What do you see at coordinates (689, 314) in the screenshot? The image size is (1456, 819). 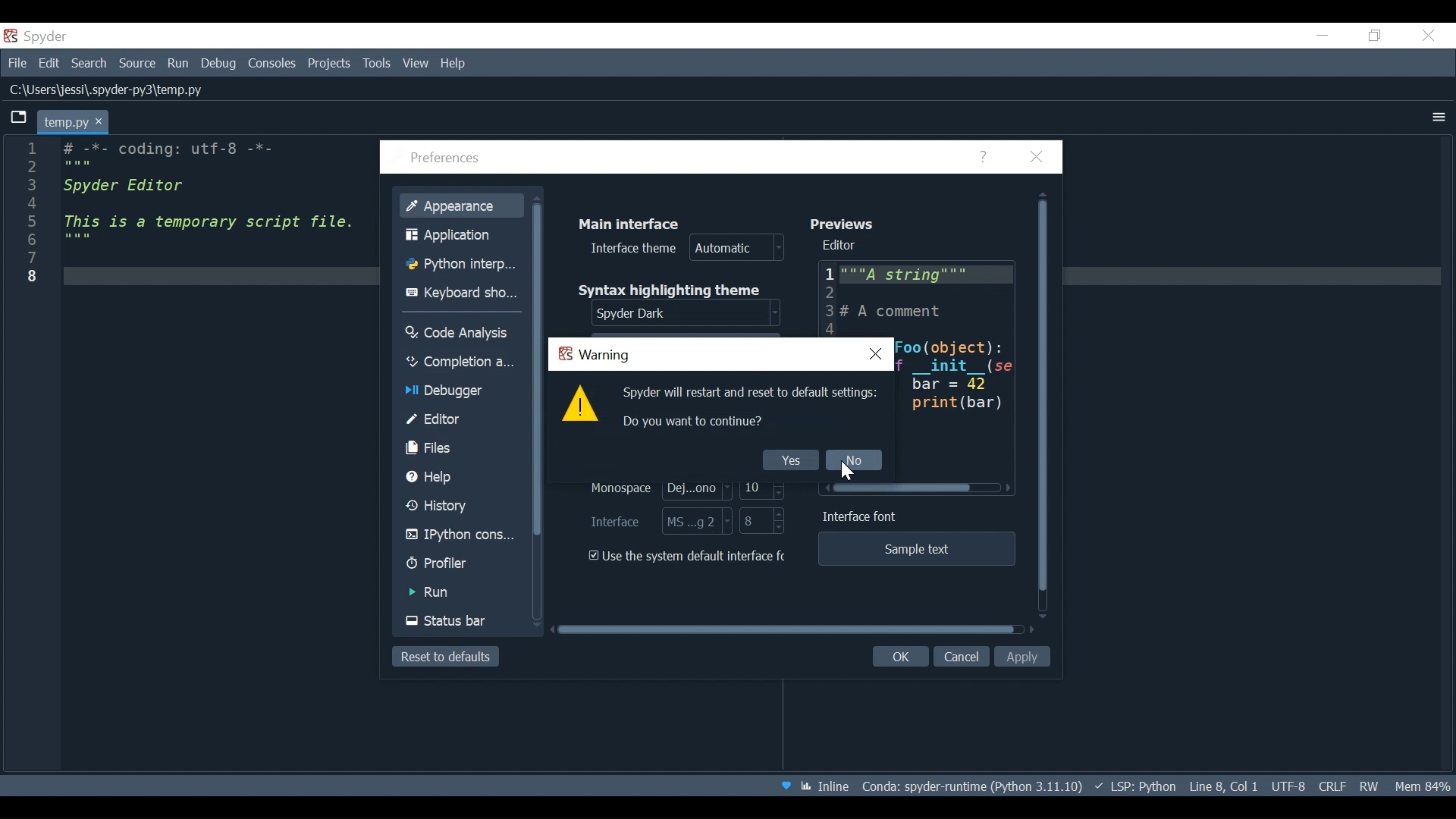 I see `Select Syntax highlighting theme` at bounding box center [689, 314].